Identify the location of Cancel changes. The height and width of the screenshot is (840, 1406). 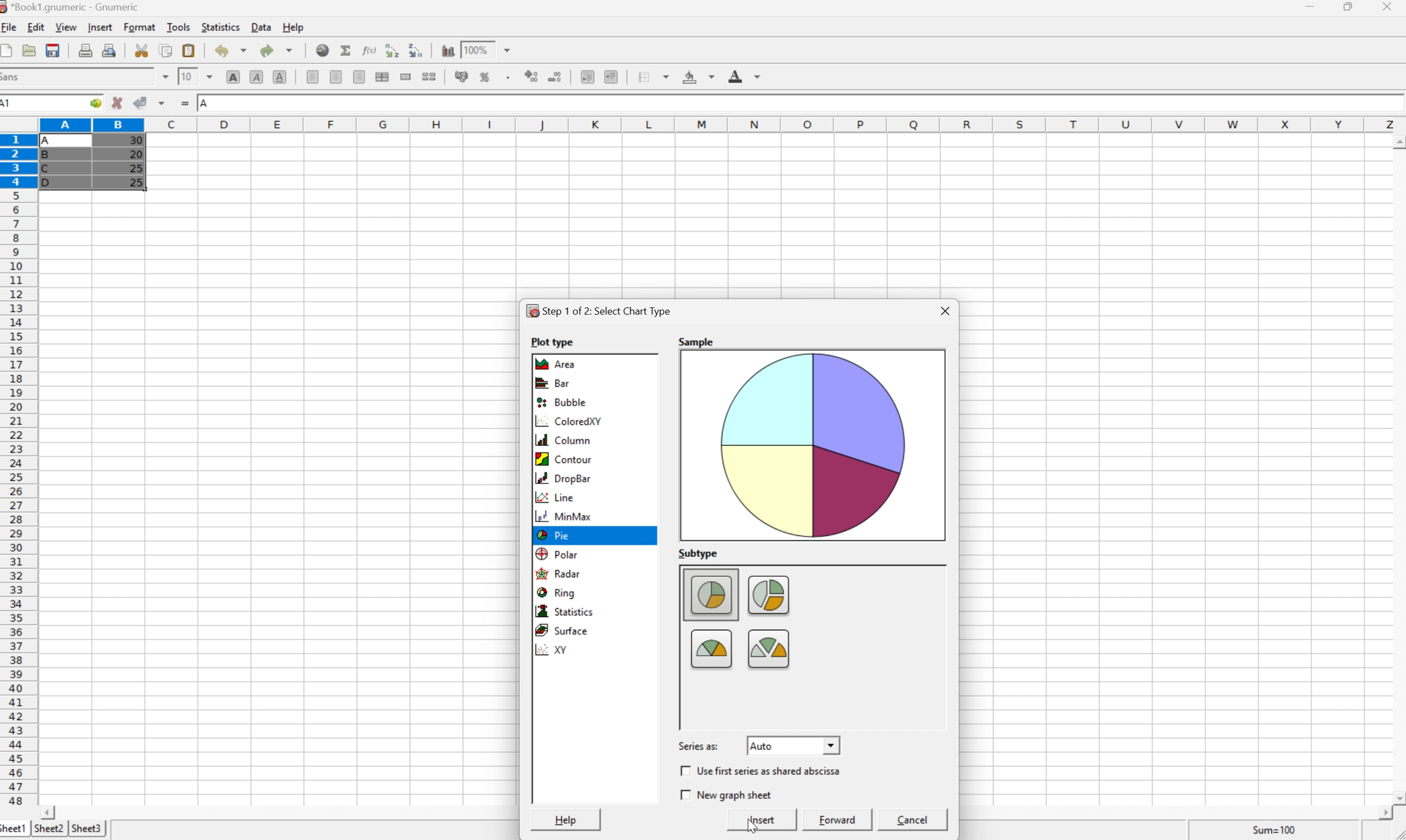
(117, 102).